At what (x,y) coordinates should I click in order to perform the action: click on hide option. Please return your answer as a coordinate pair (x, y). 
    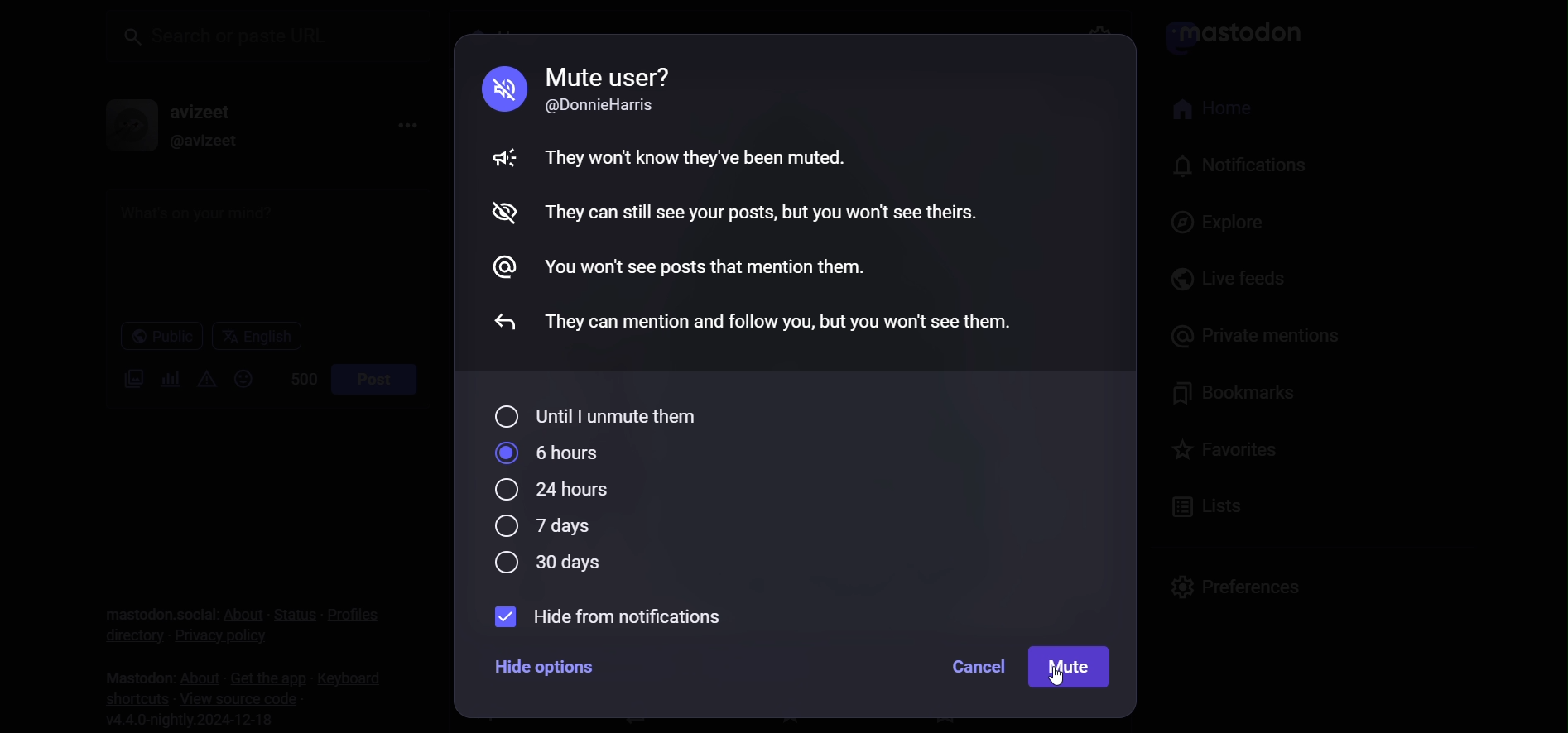
    Looking at the image, I should click on (546, 666).